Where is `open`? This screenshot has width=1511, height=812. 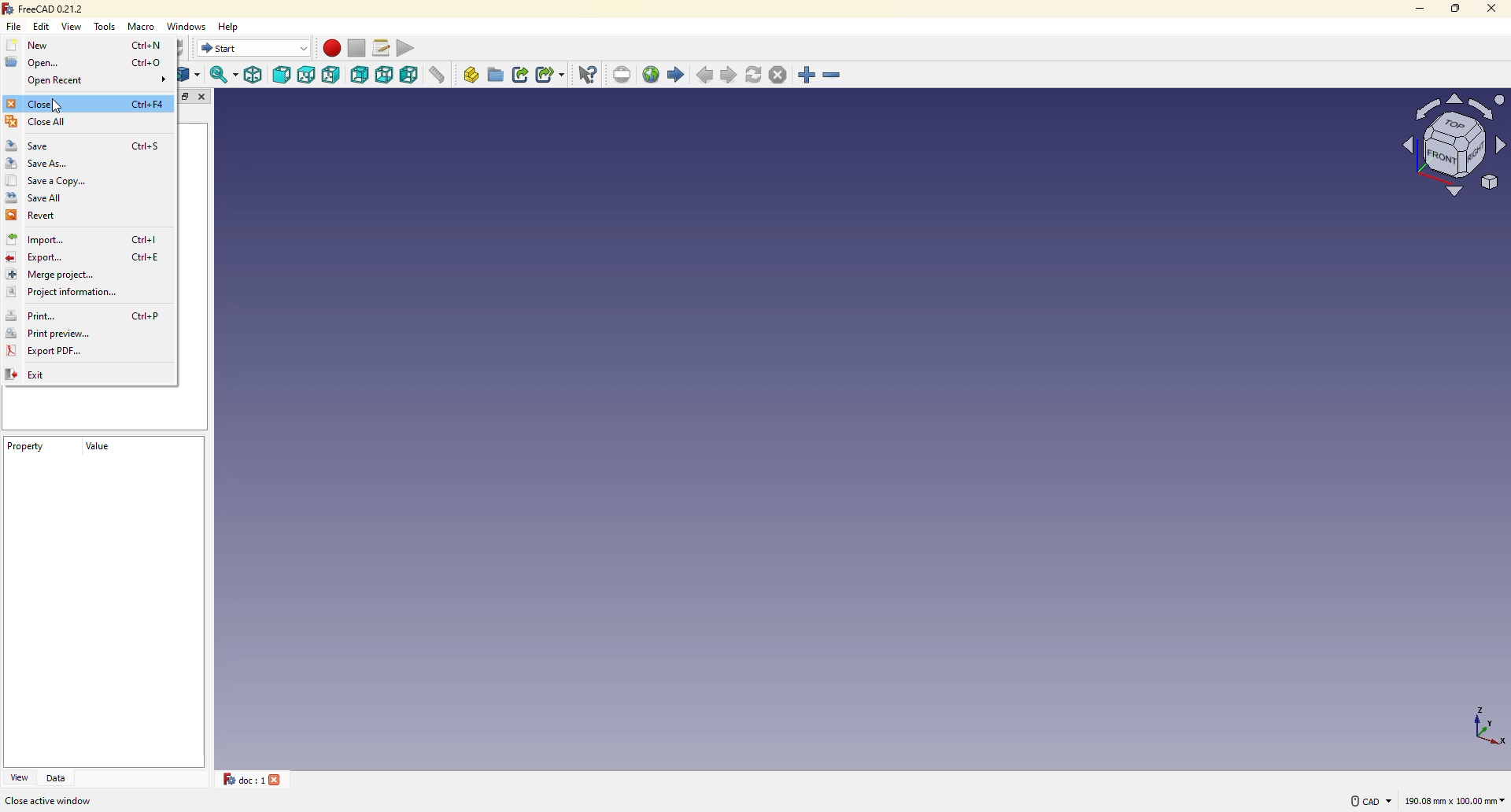
open is located at coordinates (31, 61).